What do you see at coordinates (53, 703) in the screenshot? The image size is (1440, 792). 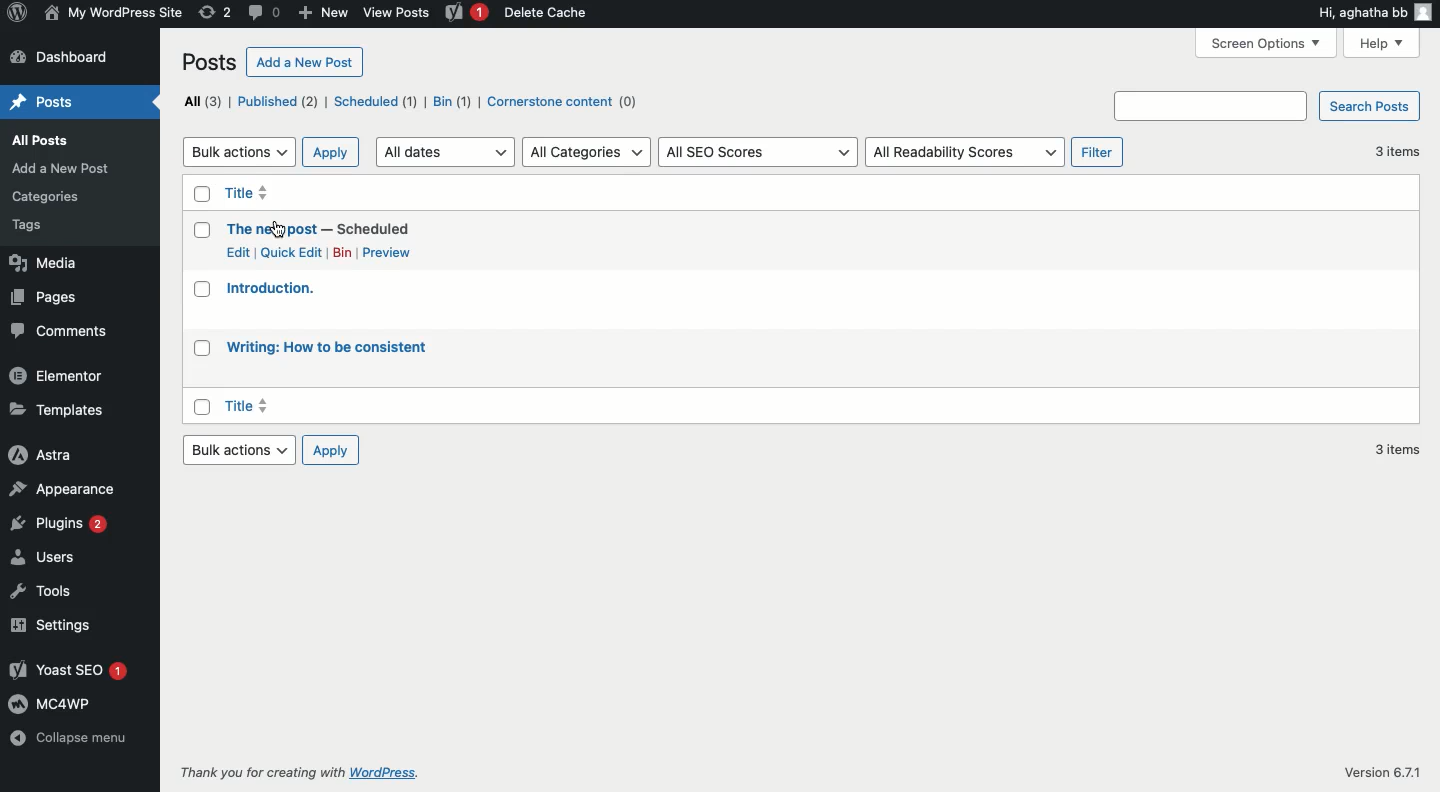 I see `MC4WP` at bounding box center [53, 703].